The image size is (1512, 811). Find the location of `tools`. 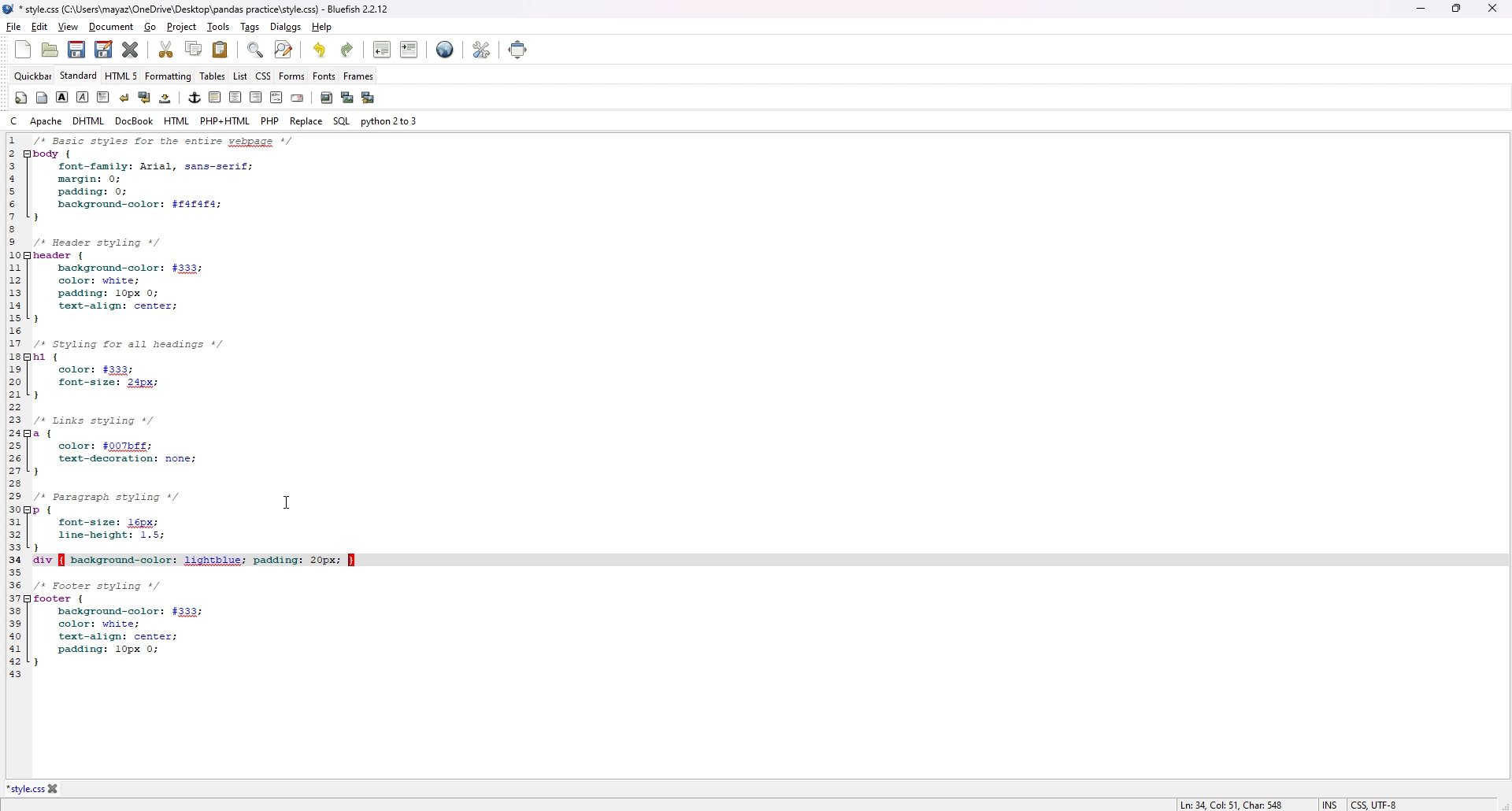

tools is located at coordinates (218, 27).